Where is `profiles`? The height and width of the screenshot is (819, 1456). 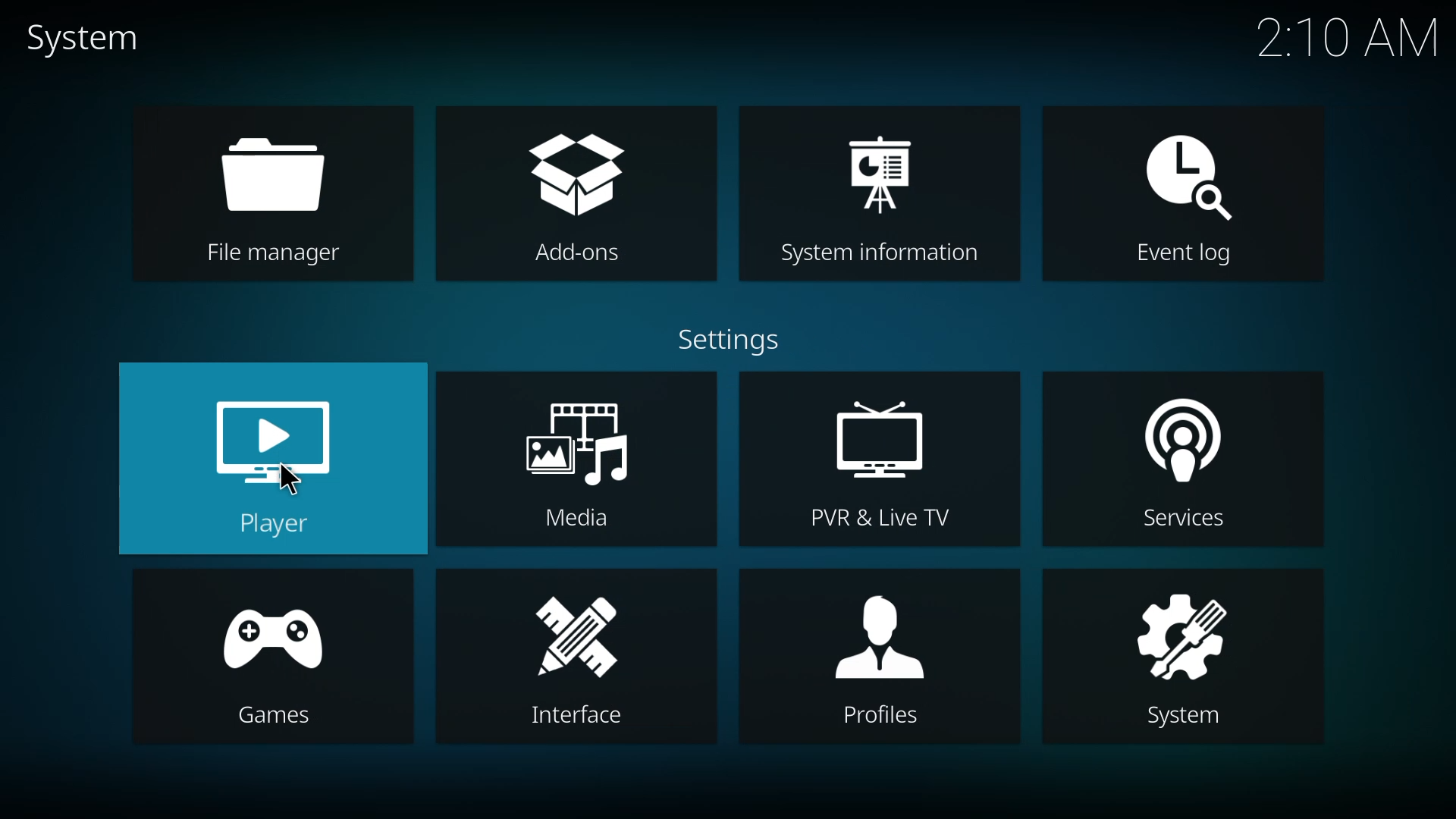 profiles is located at coordinates (880, 657).